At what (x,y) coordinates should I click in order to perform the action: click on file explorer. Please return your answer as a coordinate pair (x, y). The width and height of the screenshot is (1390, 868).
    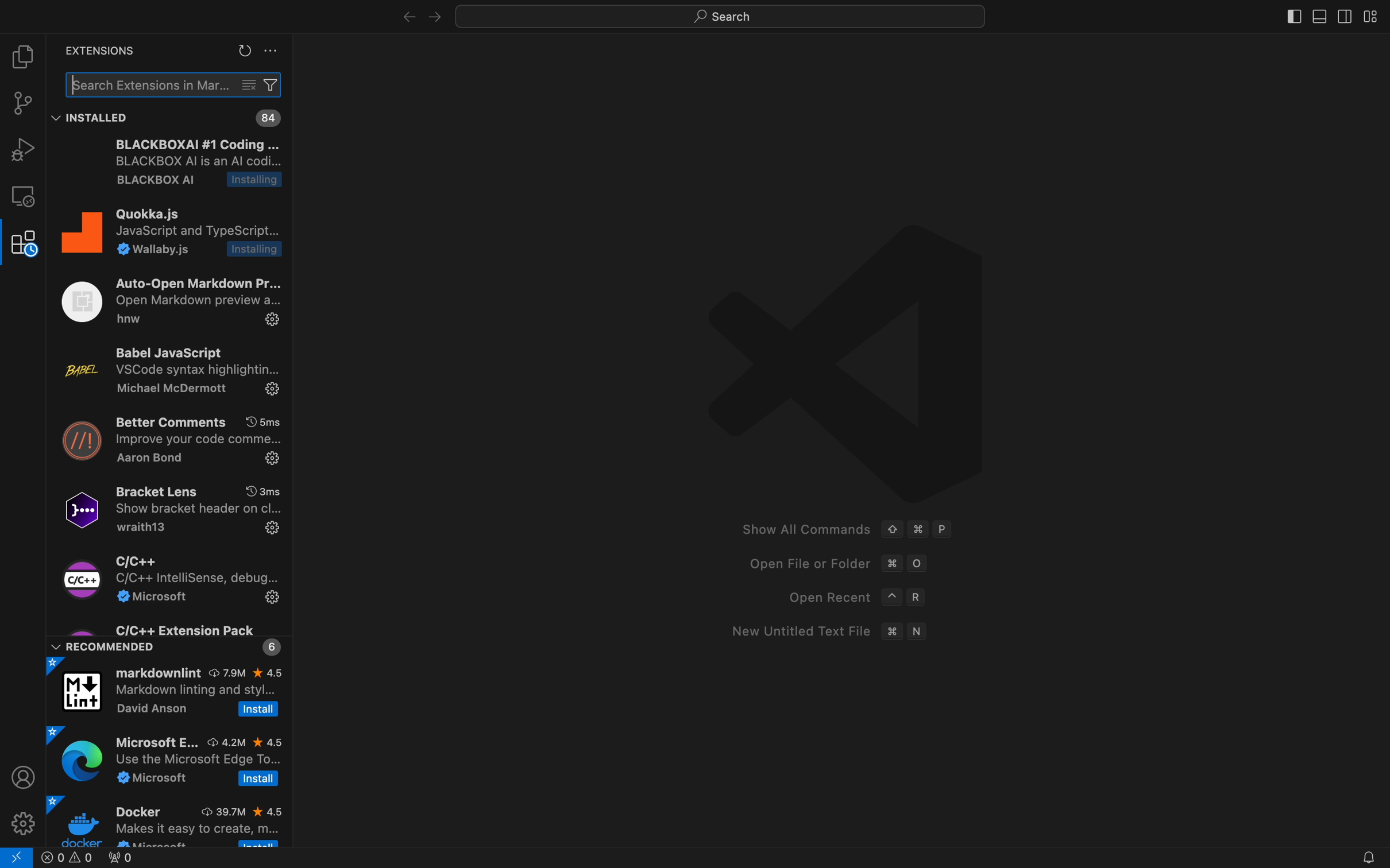
    Looking at the image, I should click on (25, 56).